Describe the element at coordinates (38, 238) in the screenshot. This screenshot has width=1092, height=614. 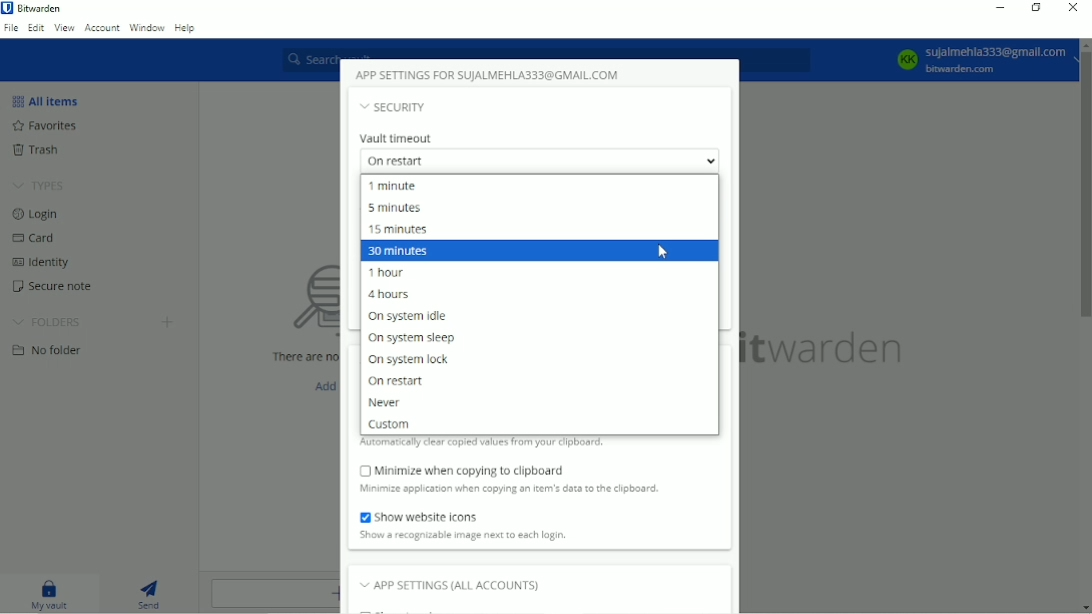
I see `Card` at that location.